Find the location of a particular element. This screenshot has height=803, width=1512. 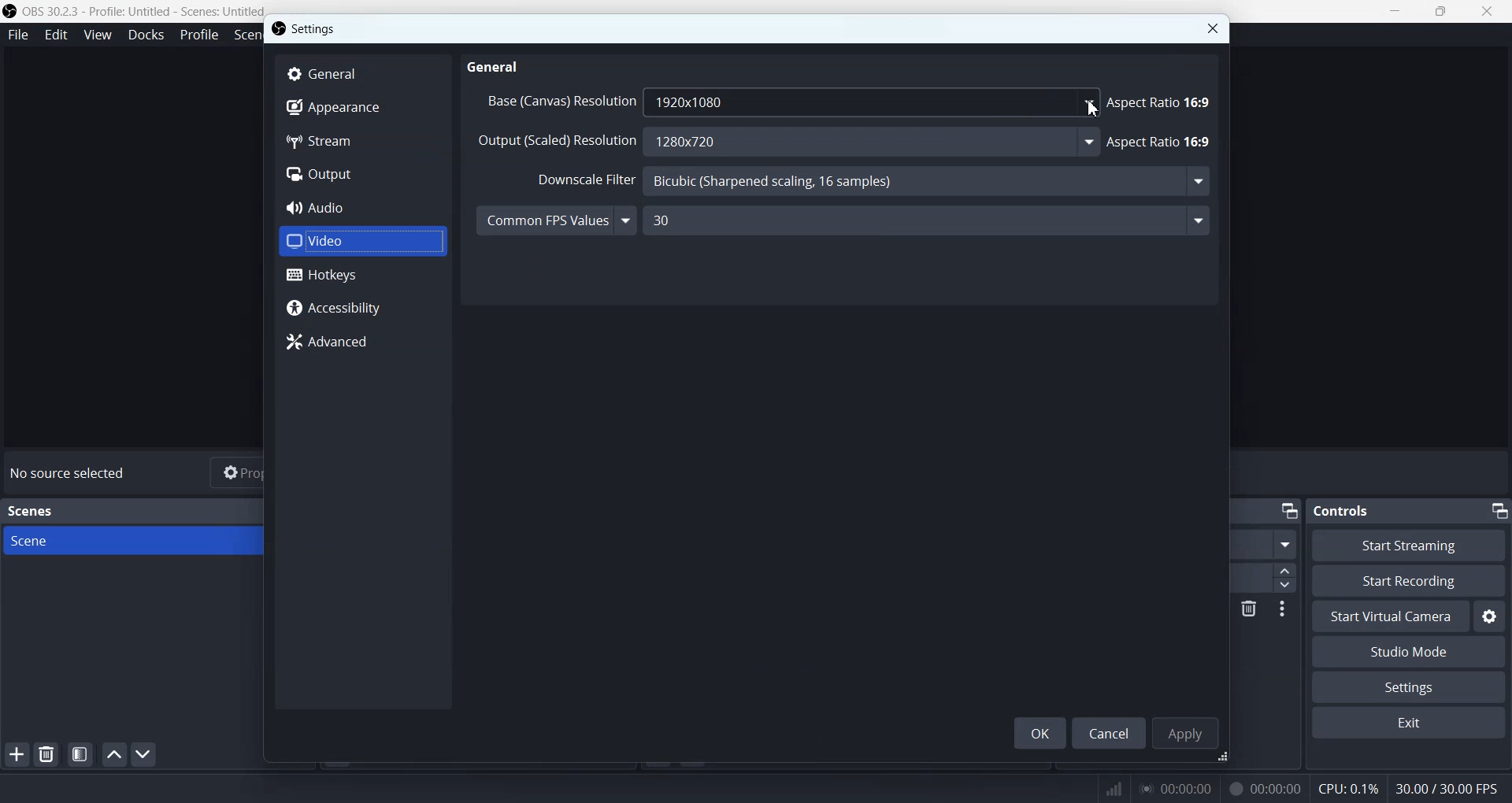

Add Scene is located at coordinates (16, 754).